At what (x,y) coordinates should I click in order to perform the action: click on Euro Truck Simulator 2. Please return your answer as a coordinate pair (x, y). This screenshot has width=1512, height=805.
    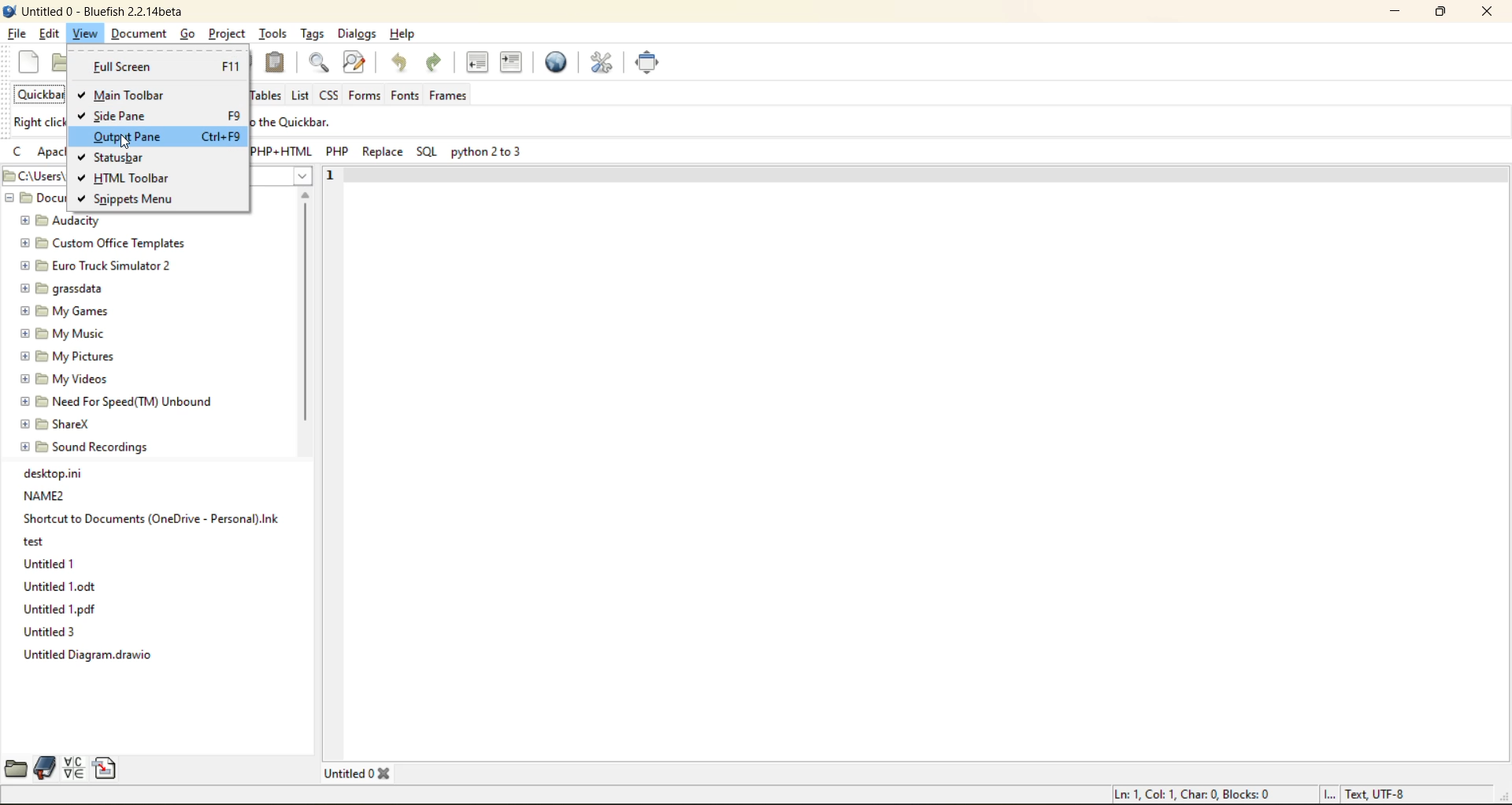
    Looking at the image, I should click on (98, 265).